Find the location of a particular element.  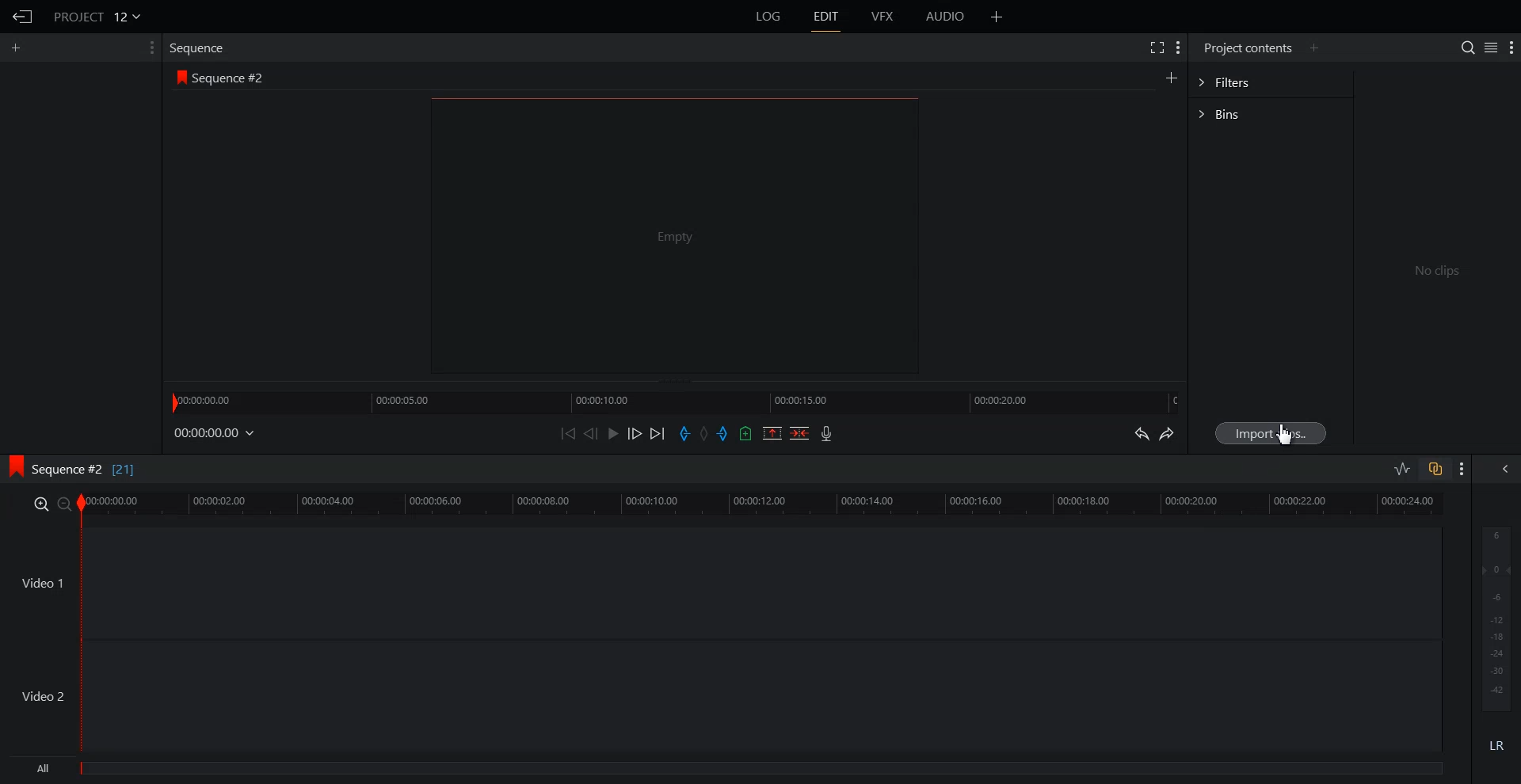

Mute is located at coordinates (1497, 745).